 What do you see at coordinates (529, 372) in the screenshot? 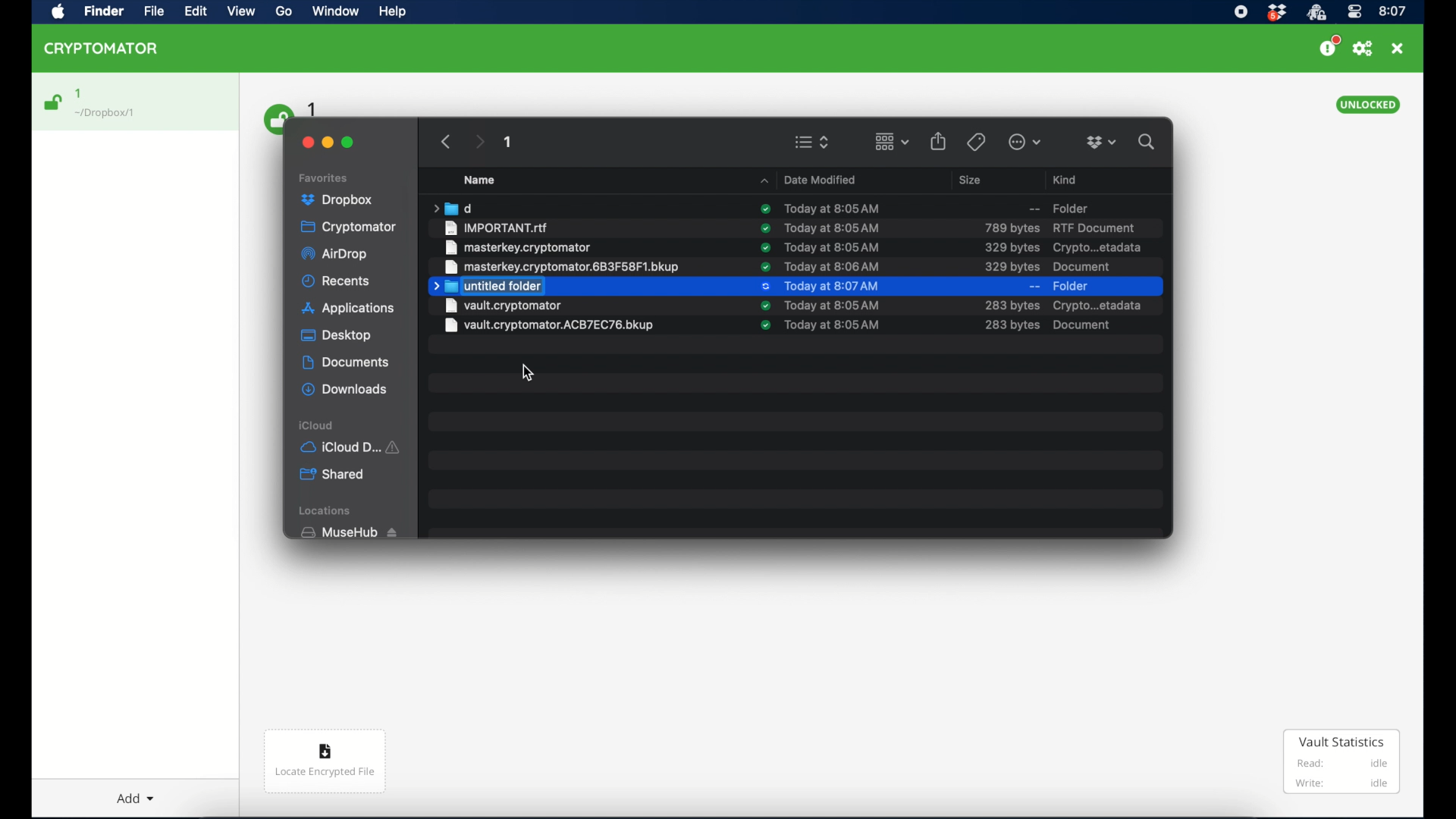
I see `cursor` at bounding box center [529, 372].